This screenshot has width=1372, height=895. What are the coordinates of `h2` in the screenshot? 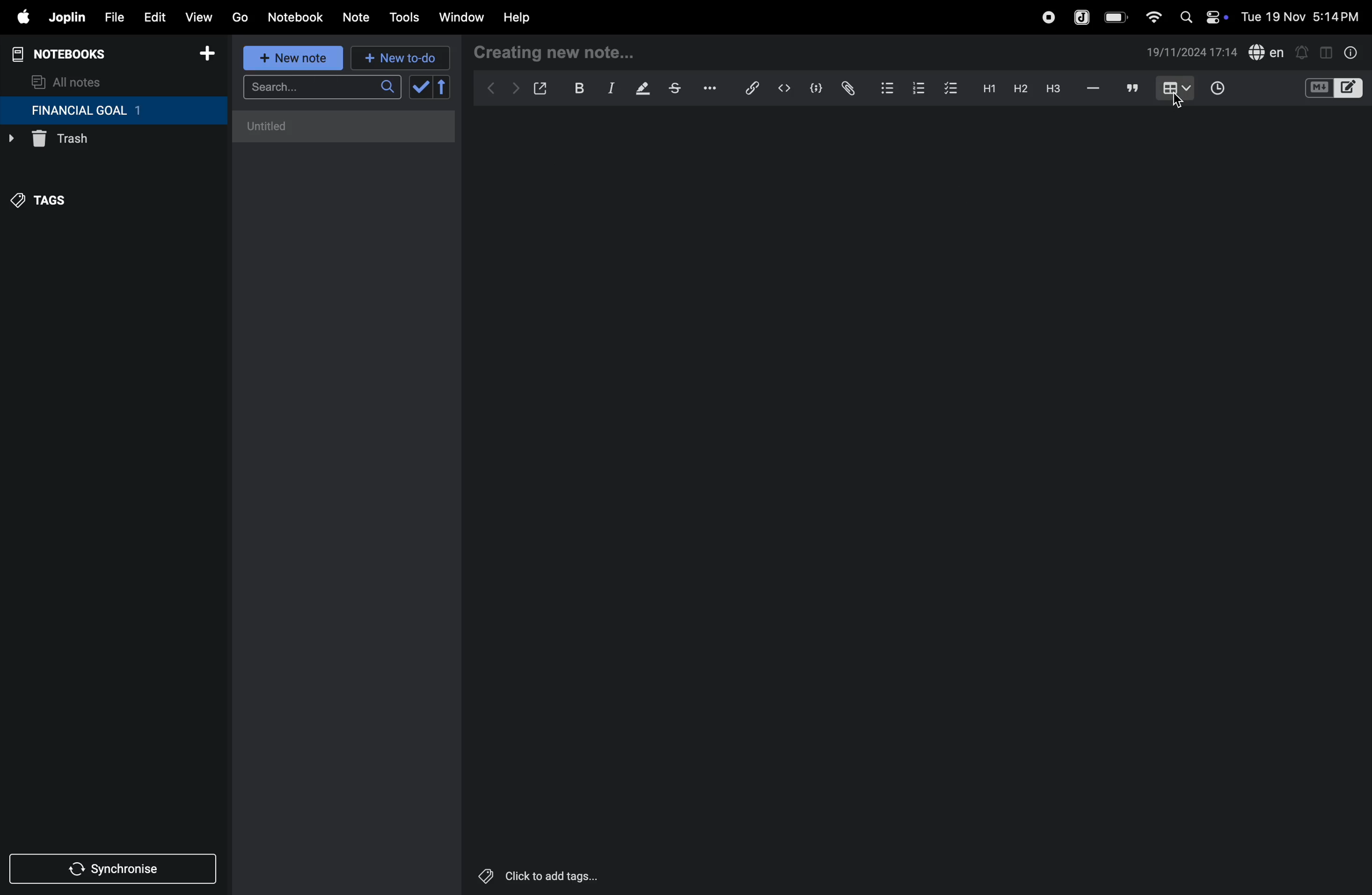 It's located at (1019, 88).